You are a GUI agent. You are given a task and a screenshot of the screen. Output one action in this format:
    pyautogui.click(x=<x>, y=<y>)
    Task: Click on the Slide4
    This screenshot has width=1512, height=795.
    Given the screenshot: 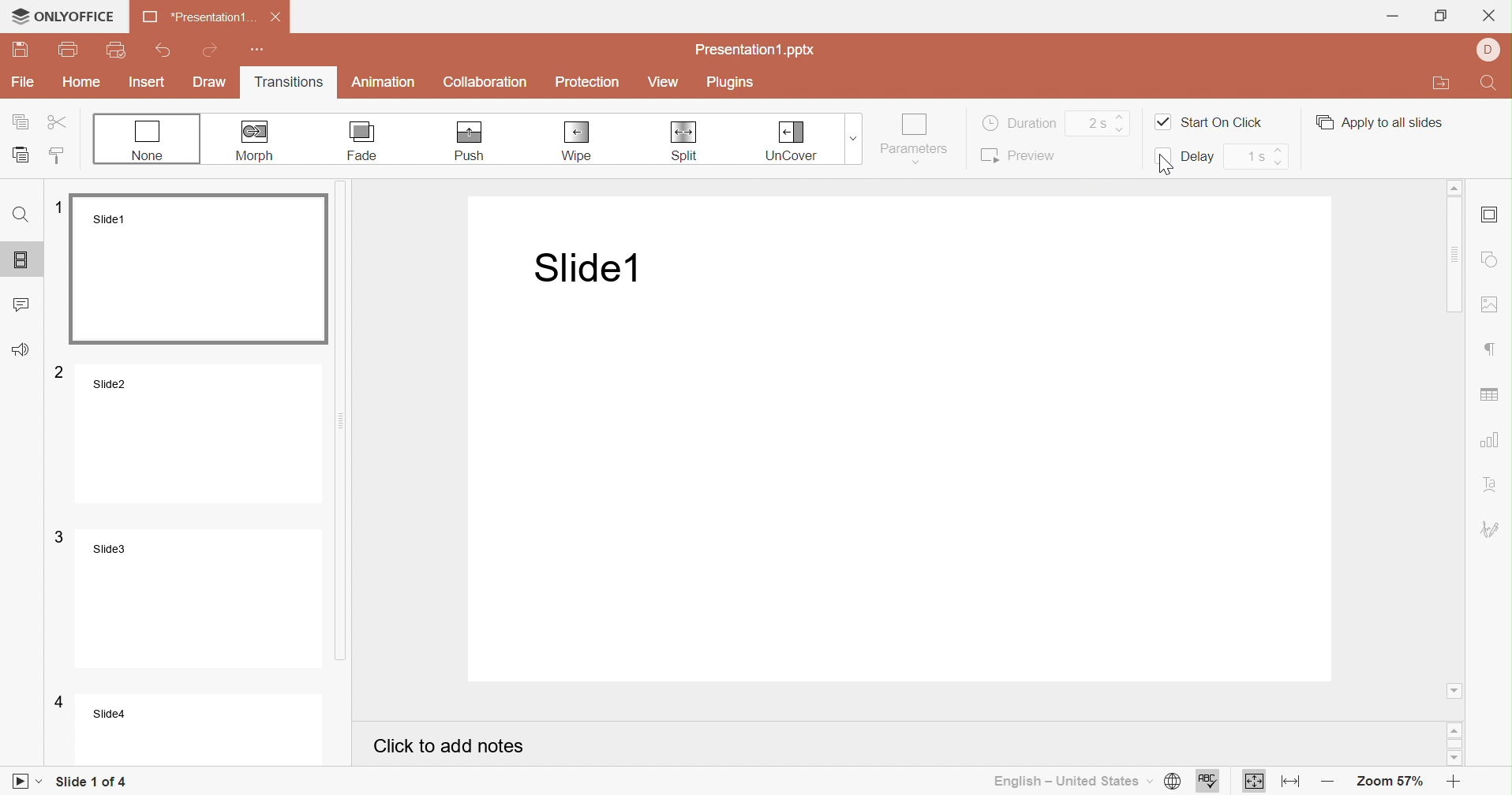 What is the action you would take?
    pyautogui.click(x=185, y=727)
    